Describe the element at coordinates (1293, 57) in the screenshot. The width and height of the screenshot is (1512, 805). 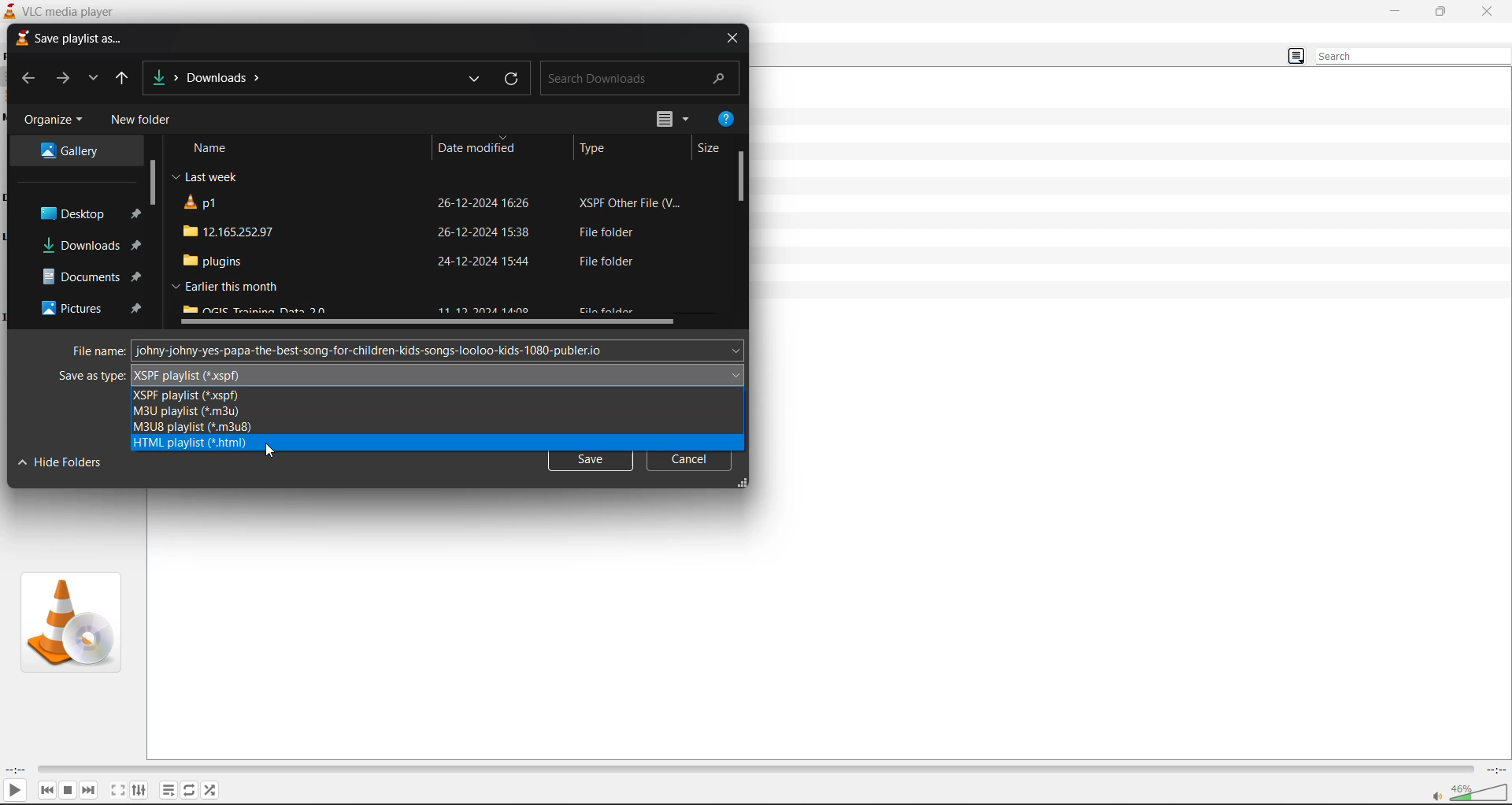
I see `change view` at that location.